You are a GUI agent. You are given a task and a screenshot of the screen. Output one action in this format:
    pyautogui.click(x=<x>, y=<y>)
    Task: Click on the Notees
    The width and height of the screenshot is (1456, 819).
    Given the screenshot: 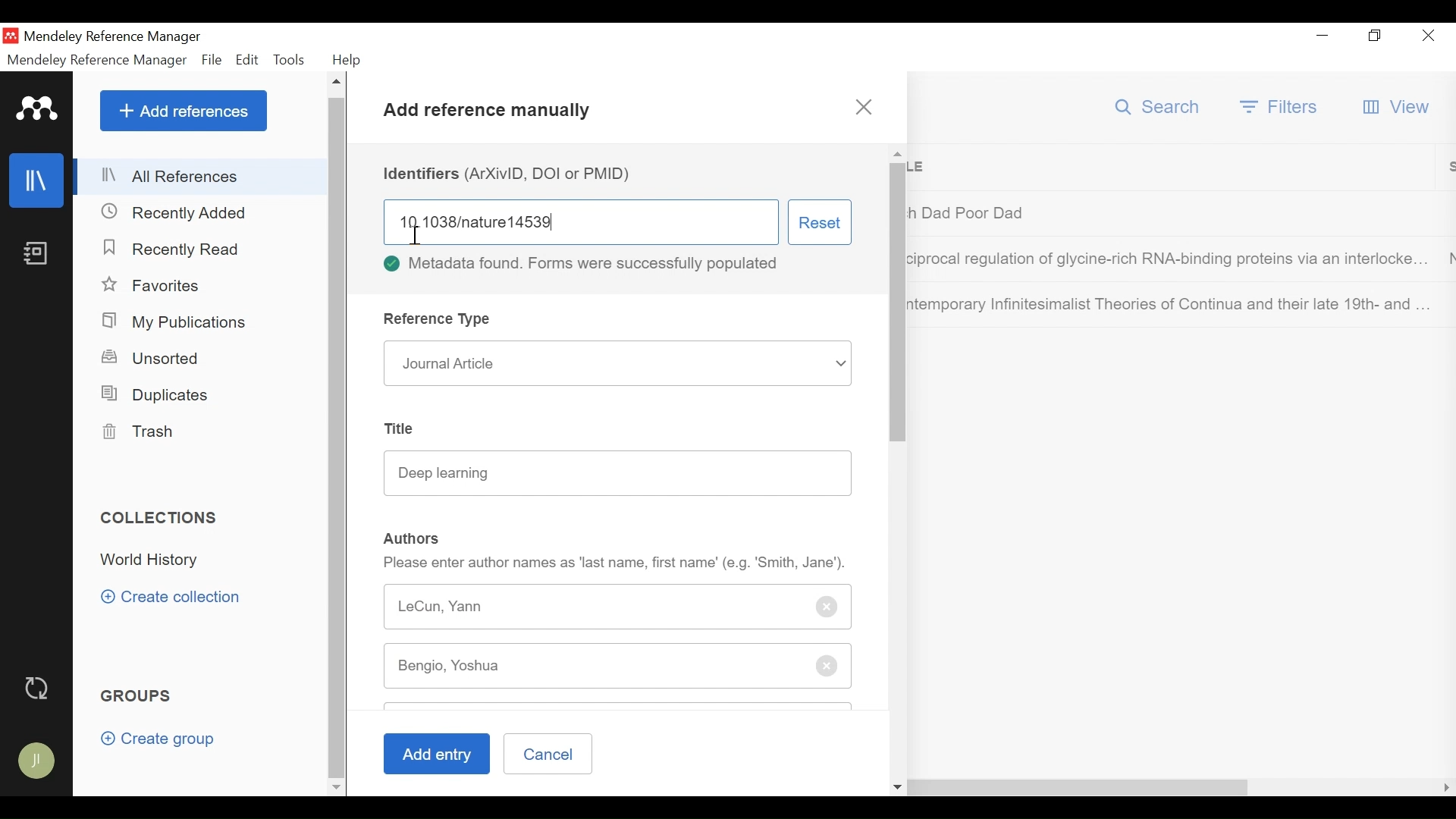 What is the action you would take?
    pyautogui.click(x=39, y=253)
    